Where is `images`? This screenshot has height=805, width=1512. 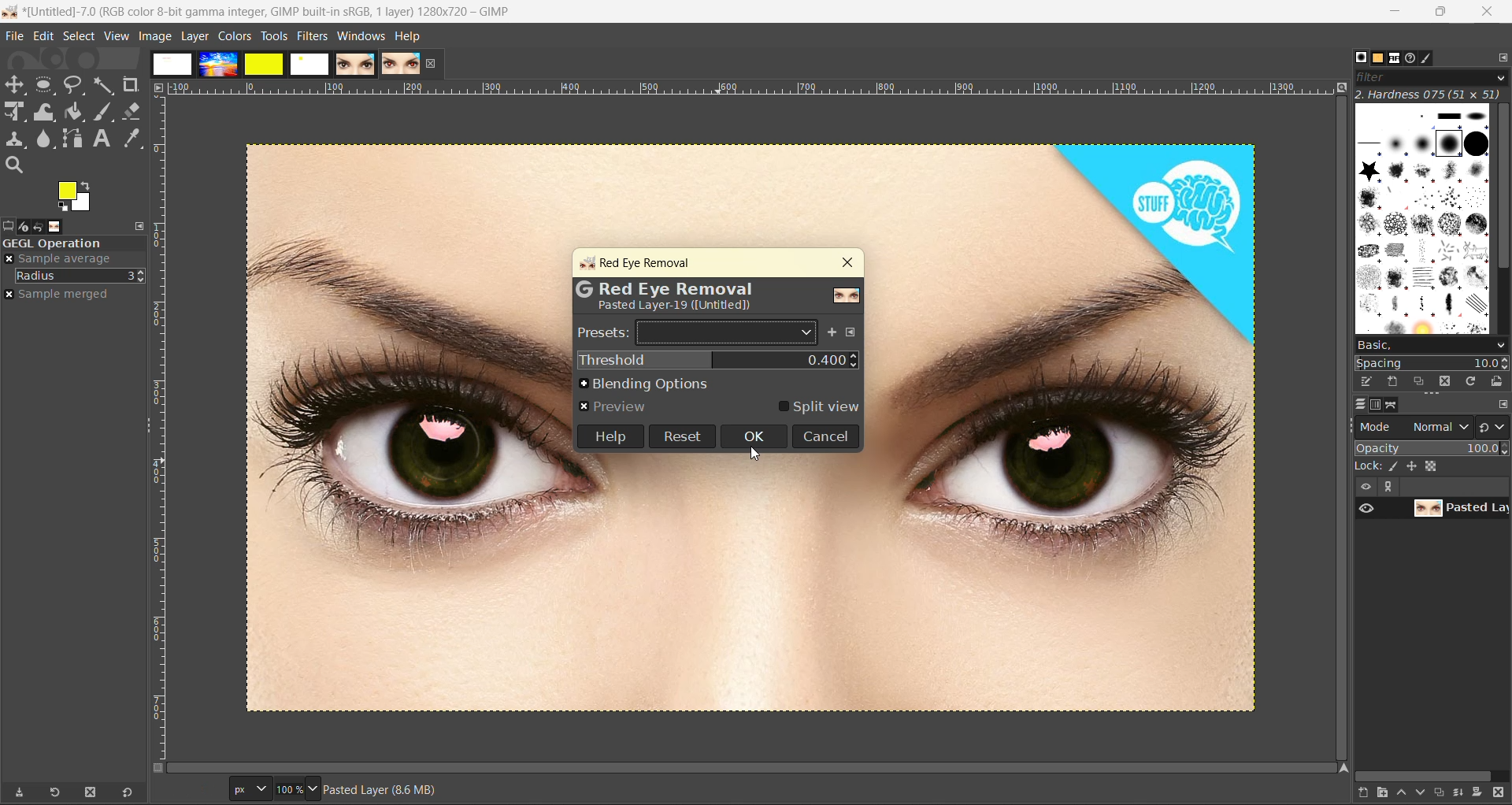 images is located at coordinates (284, 65).